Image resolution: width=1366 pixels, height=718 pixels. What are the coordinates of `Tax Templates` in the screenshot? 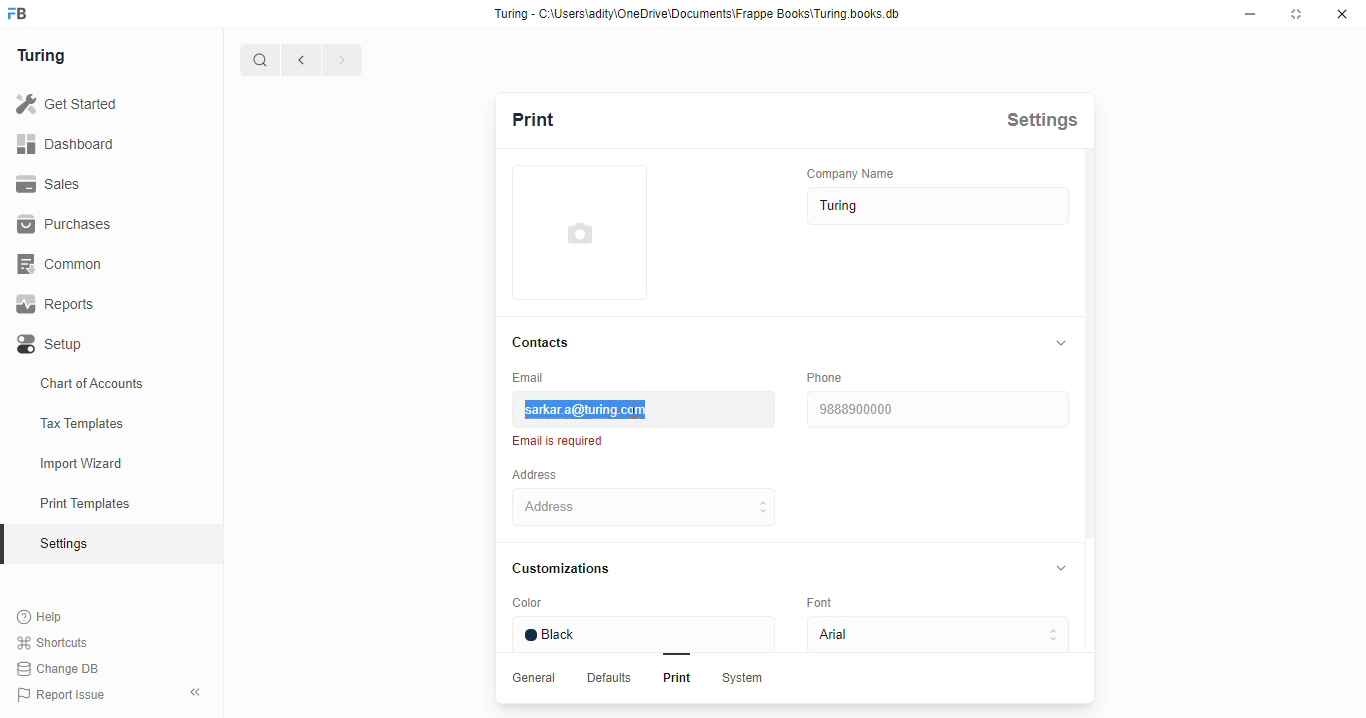 It's located at (110, 424).